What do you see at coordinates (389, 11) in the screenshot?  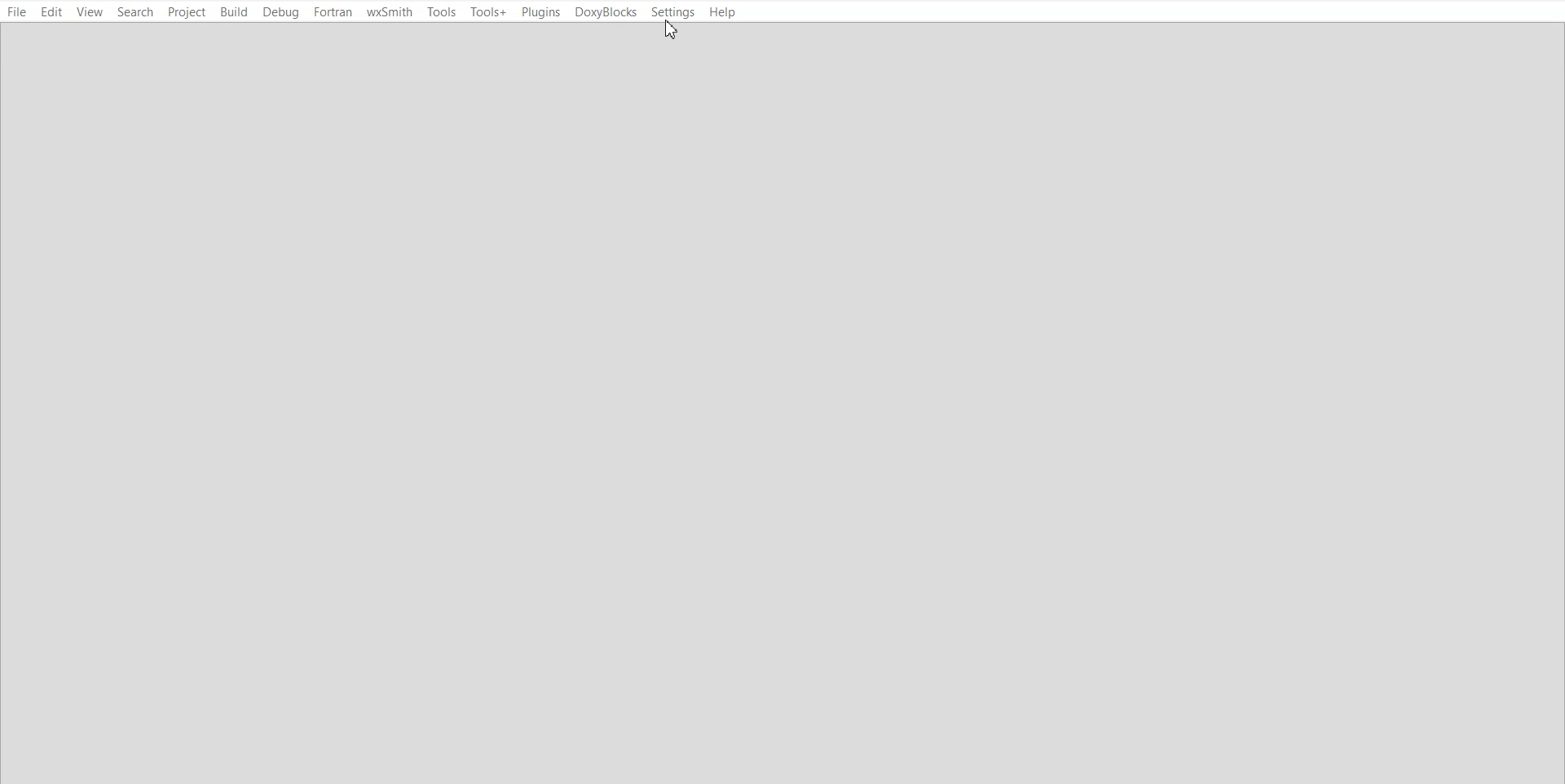 I see `wxSmith` at bounding box center [389, 11].